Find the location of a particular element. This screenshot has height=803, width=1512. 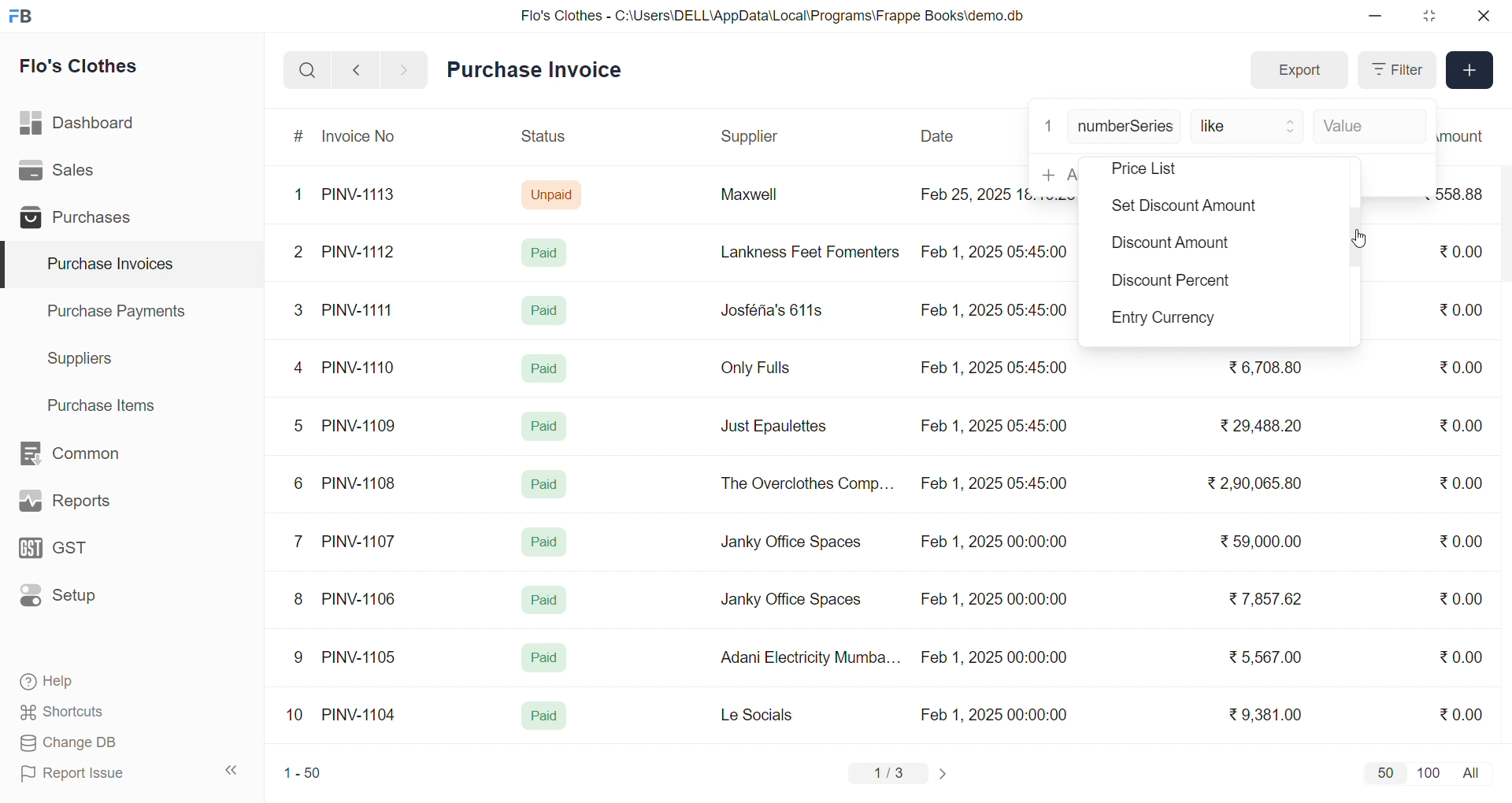

close is located at coordinates (1482, 16).